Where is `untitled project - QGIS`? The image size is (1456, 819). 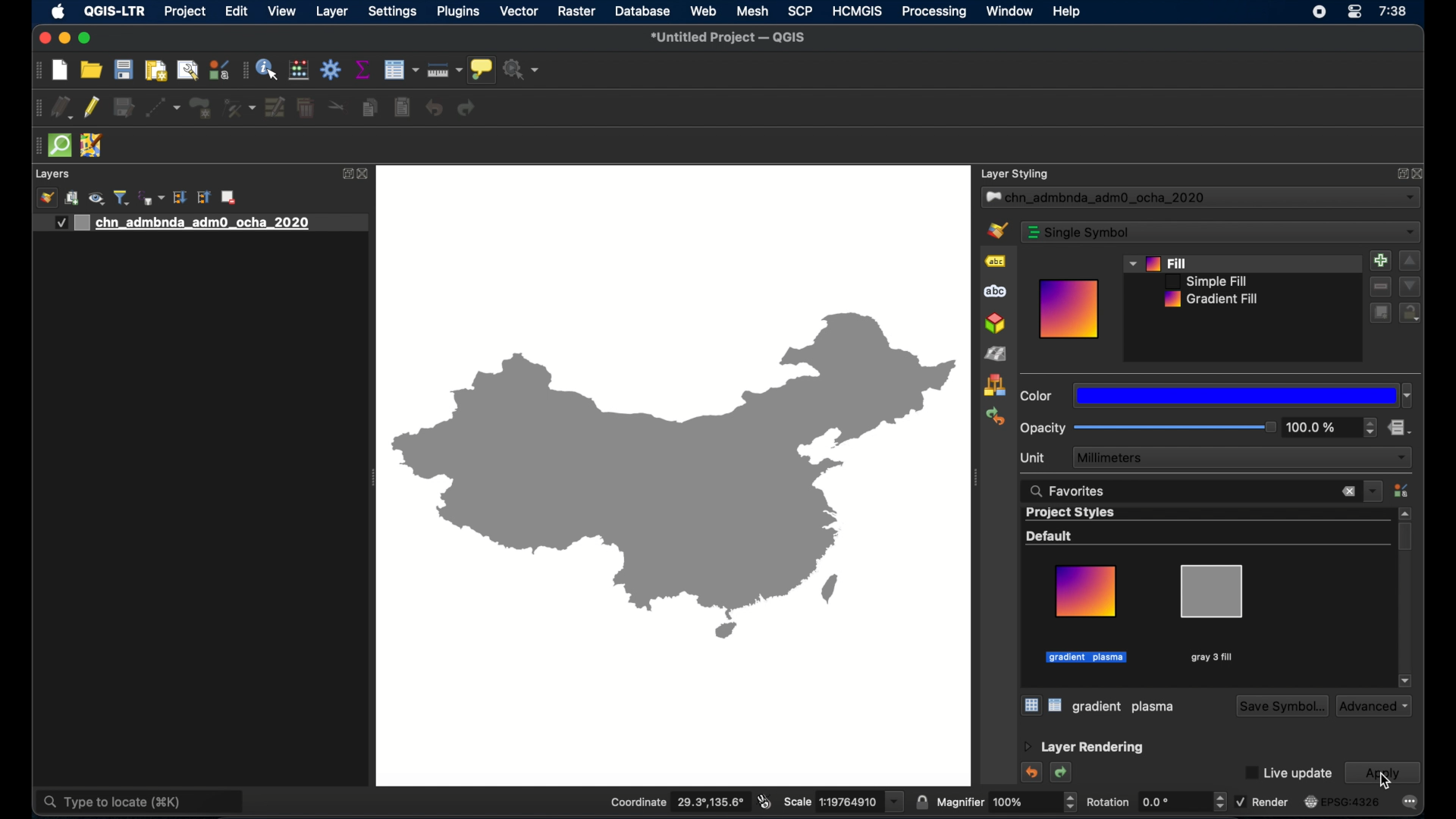
untitled project - QGIS is located at coordinates (727, 37).